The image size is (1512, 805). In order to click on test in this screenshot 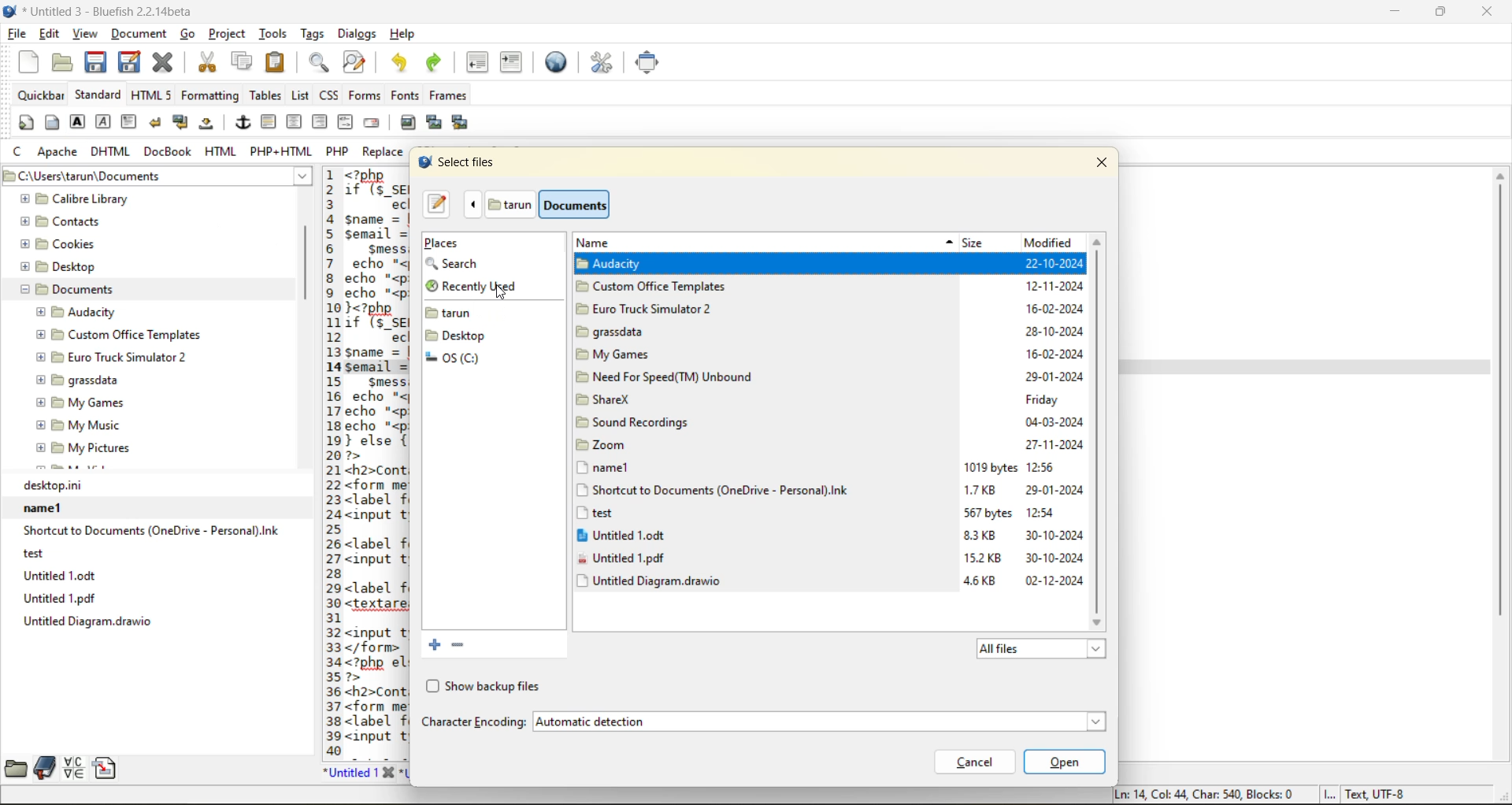, I will do `click(142, 553)`.